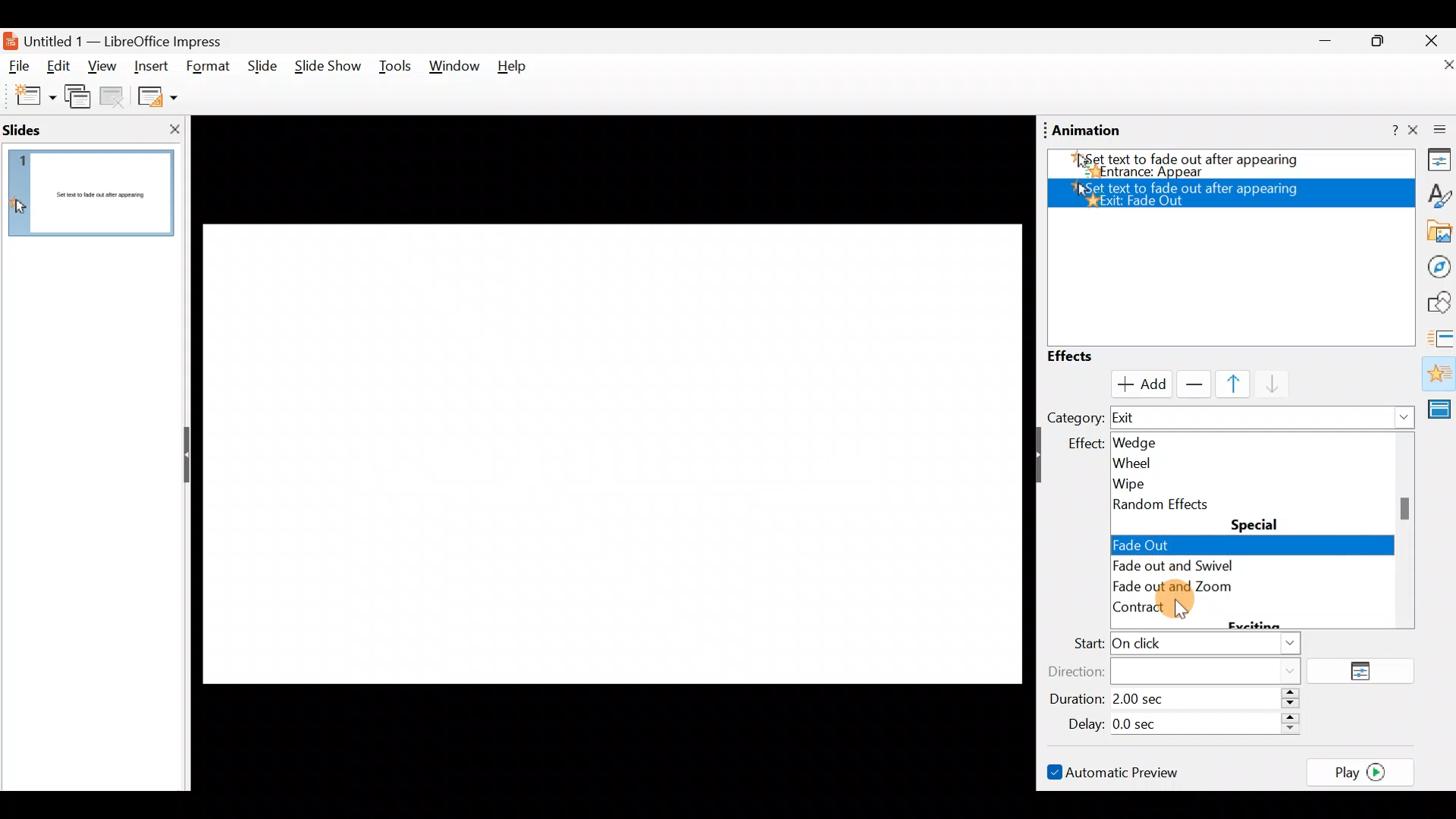 This screenshot has width=1456, height=819. What do you see at coordinates (102, 71) in the screenshot?
I see `View` at bounding box center [102, 71].